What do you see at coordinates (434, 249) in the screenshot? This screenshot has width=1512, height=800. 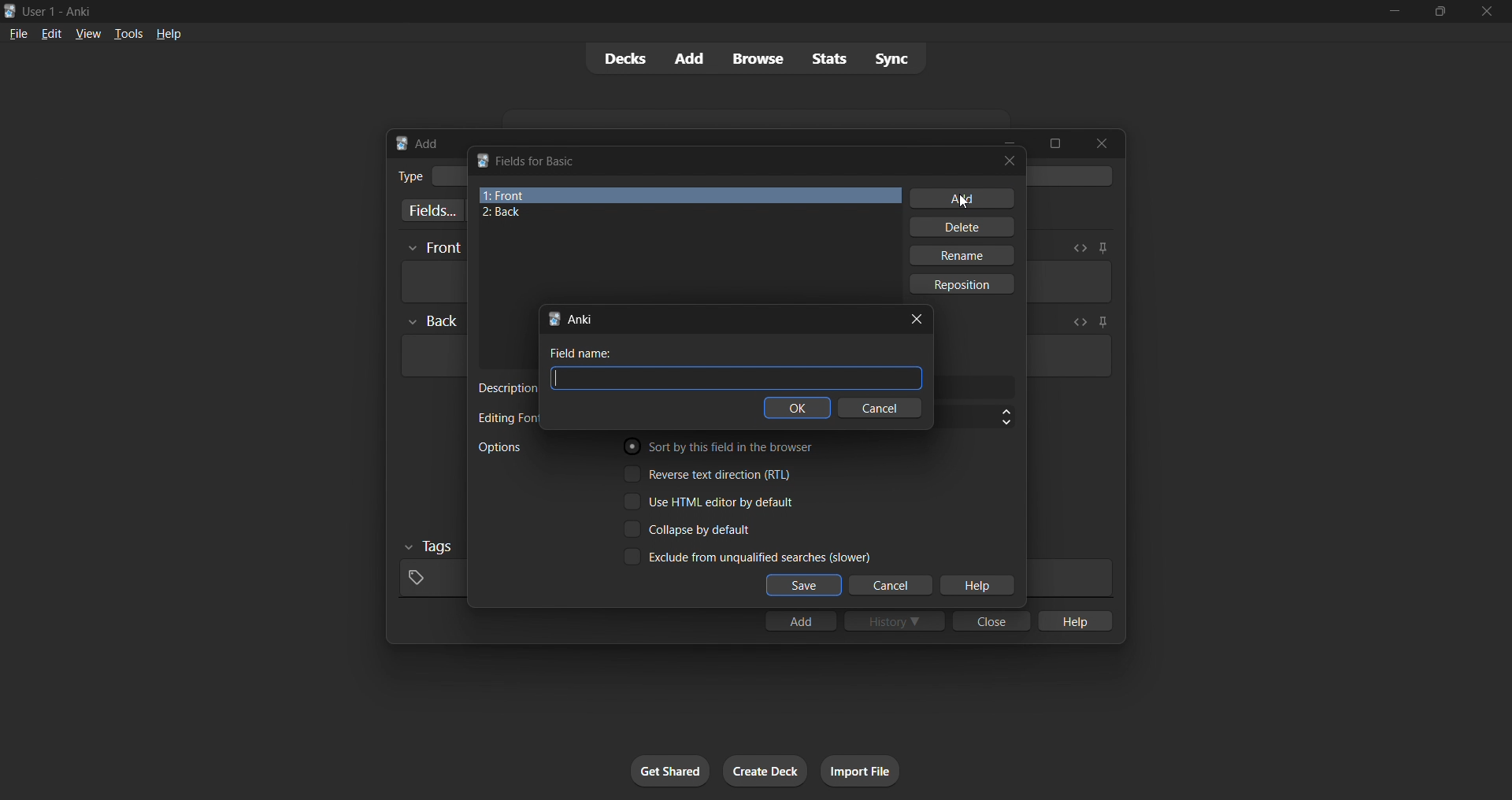 I see `` at bounding box center [434, 249].